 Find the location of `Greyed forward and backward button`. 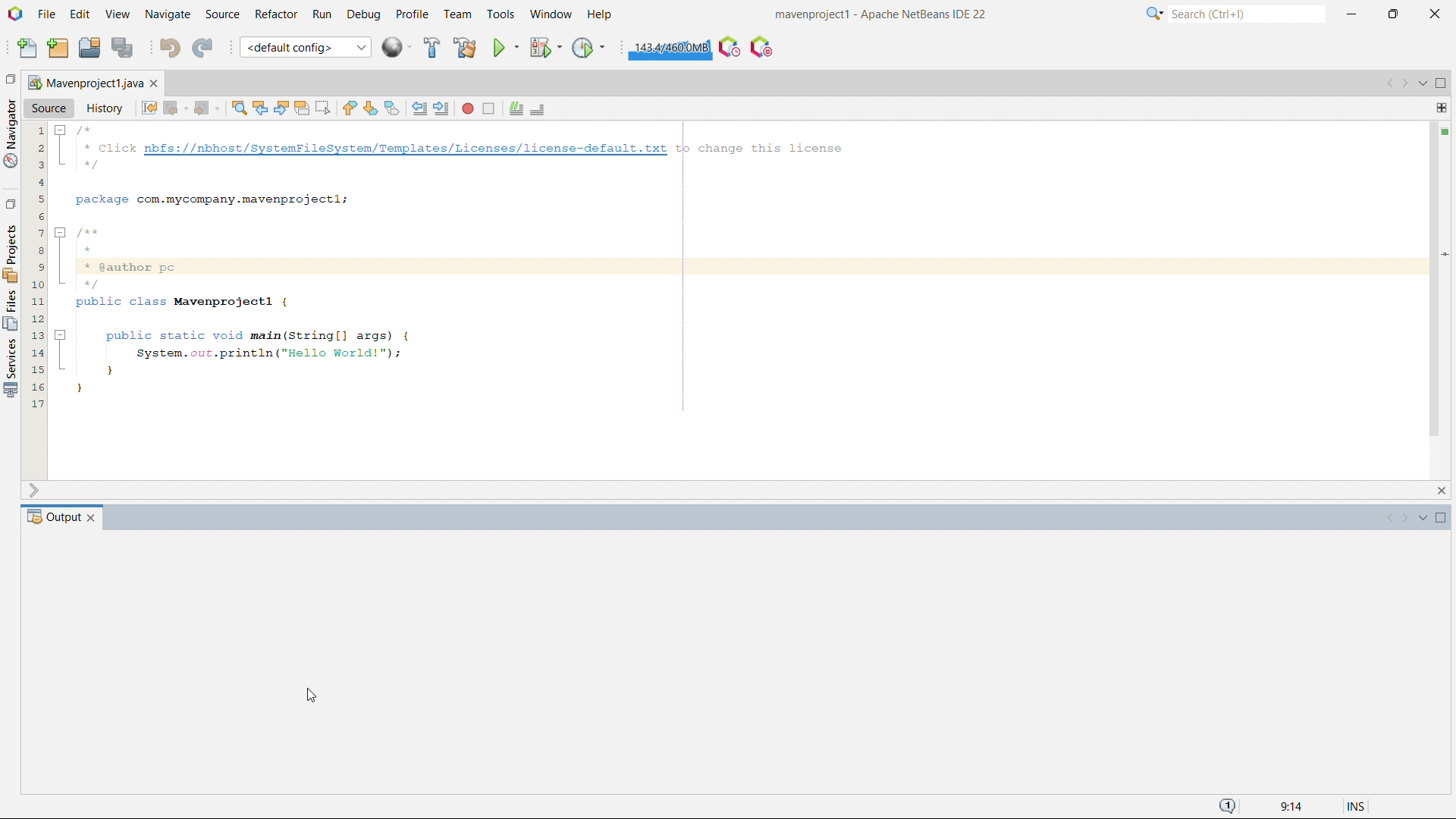

Greyed forward and backward button is located at coordinates (1396, 519).